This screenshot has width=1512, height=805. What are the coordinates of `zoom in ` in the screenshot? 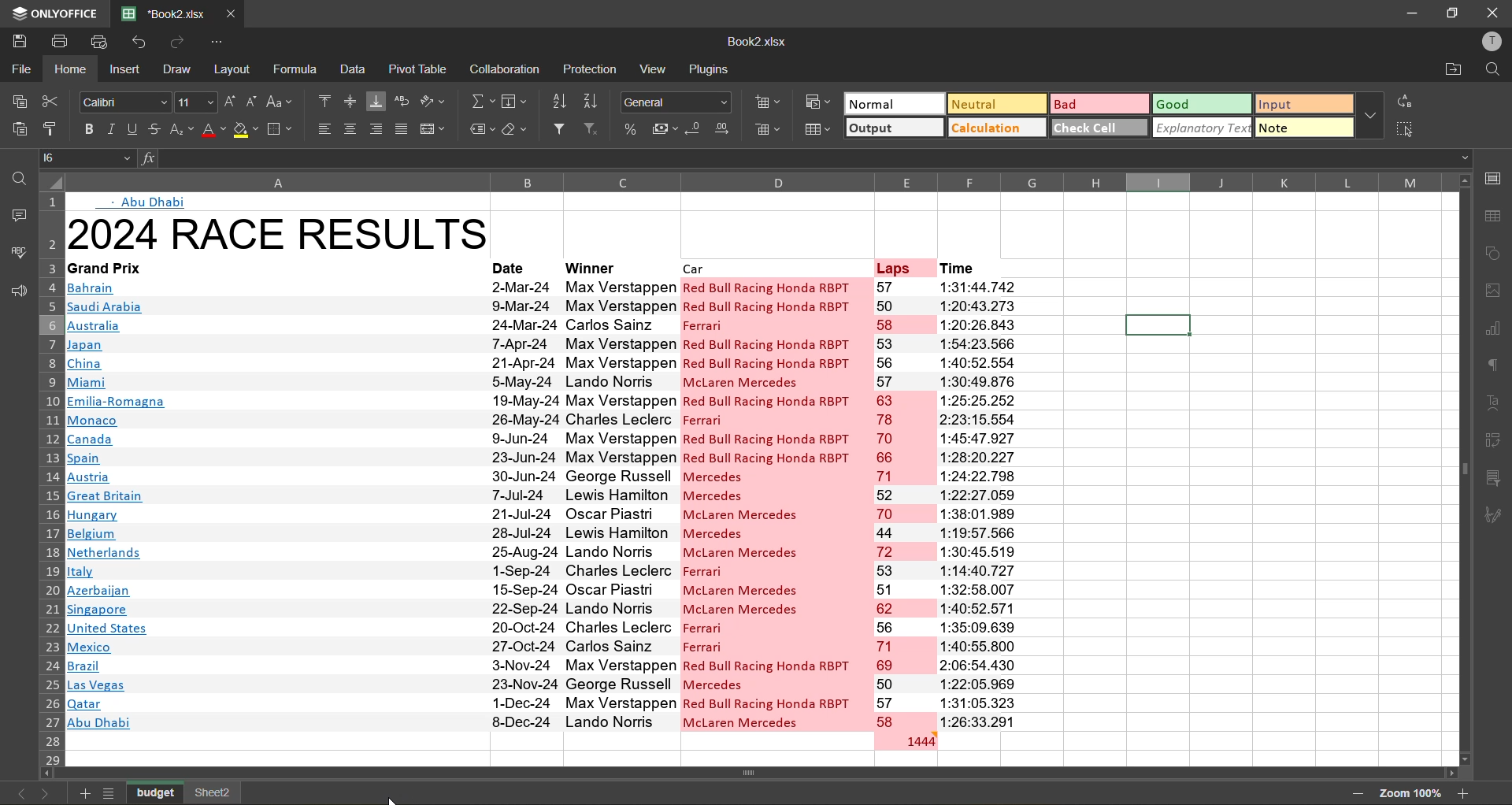 It's located at (1464, 792).